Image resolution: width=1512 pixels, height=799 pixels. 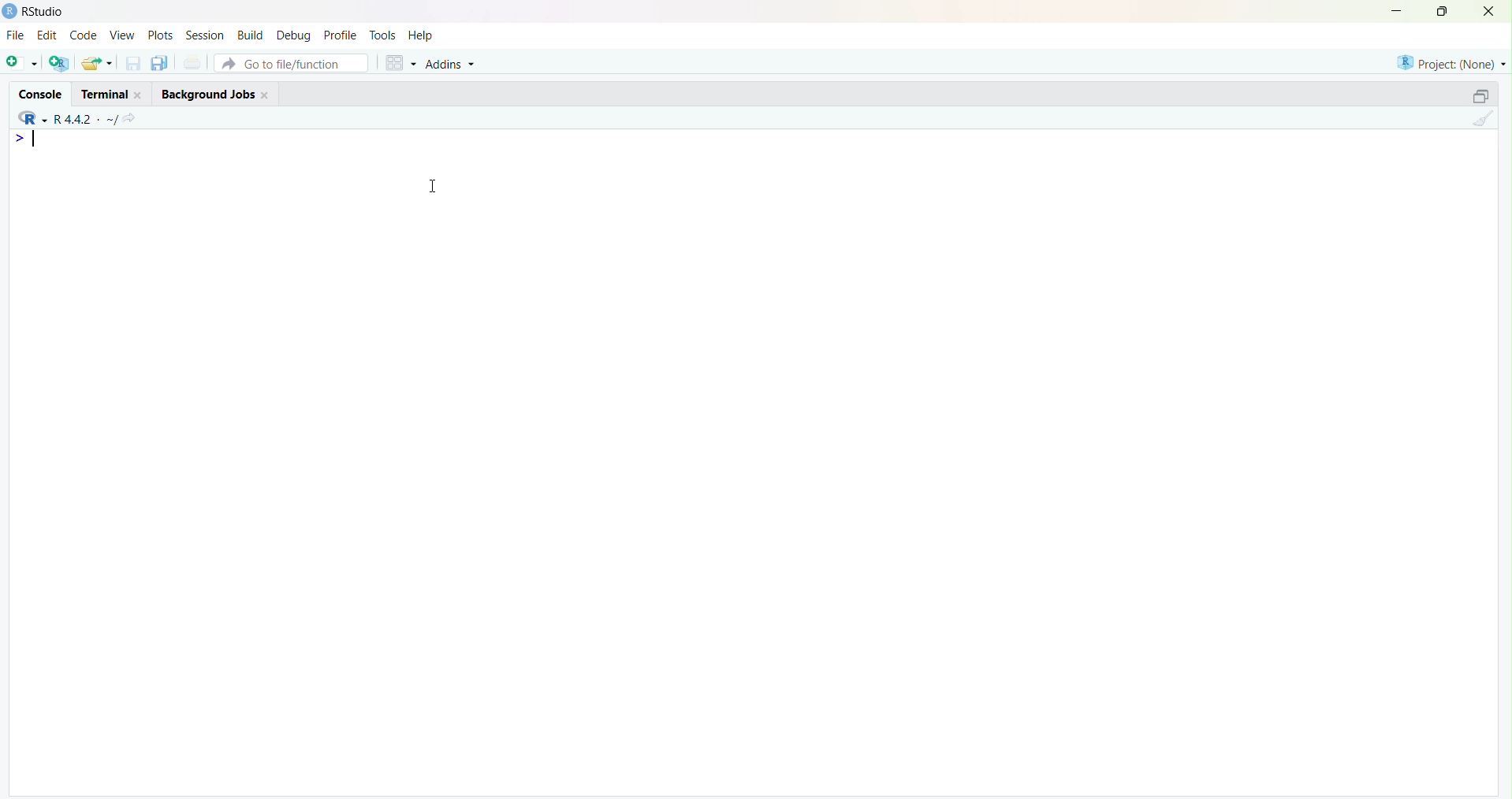 I want to click on Debug, so click(x=295, y=34).